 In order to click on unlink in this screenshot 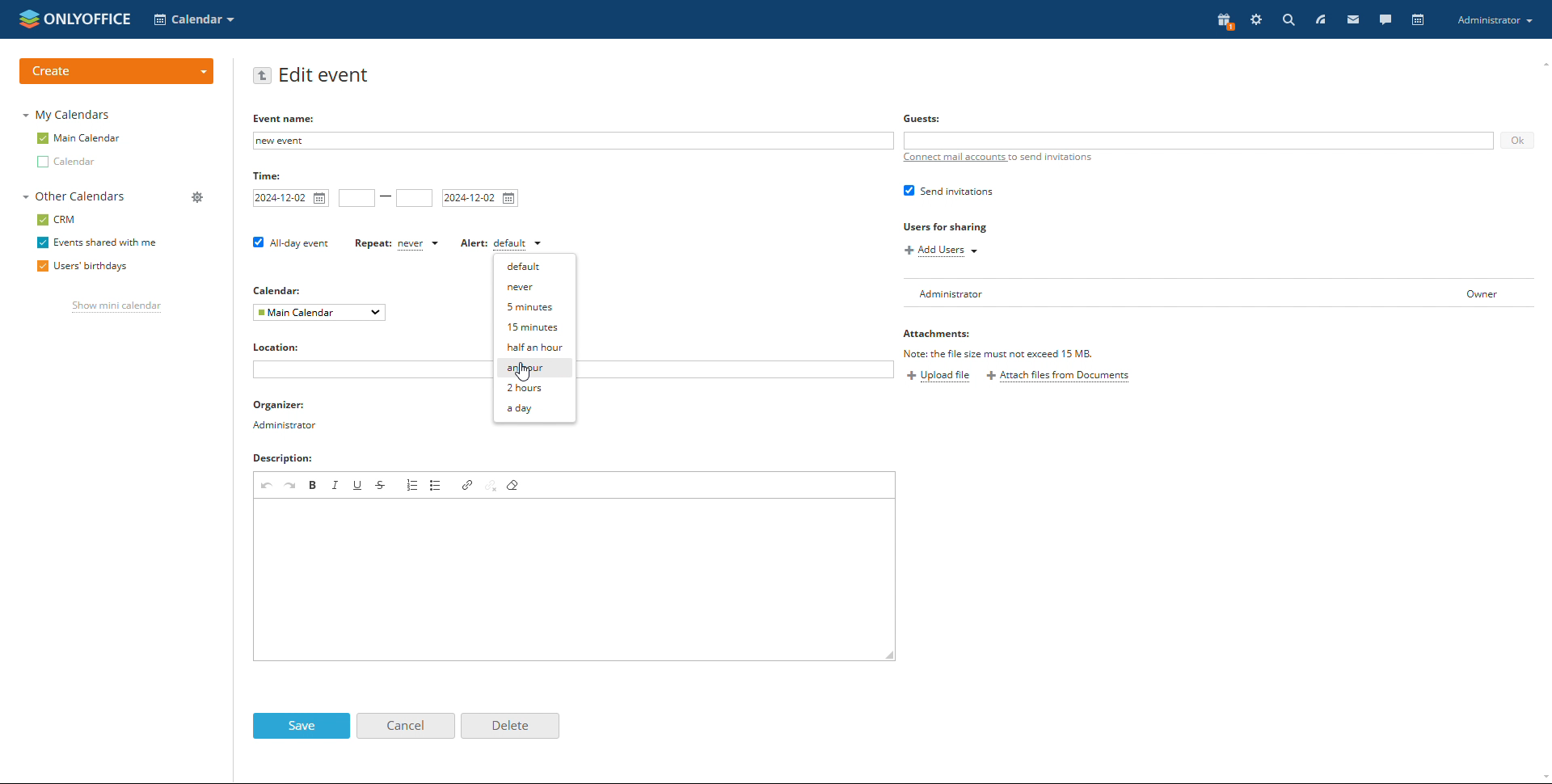, I will do `click(491, 485)`.